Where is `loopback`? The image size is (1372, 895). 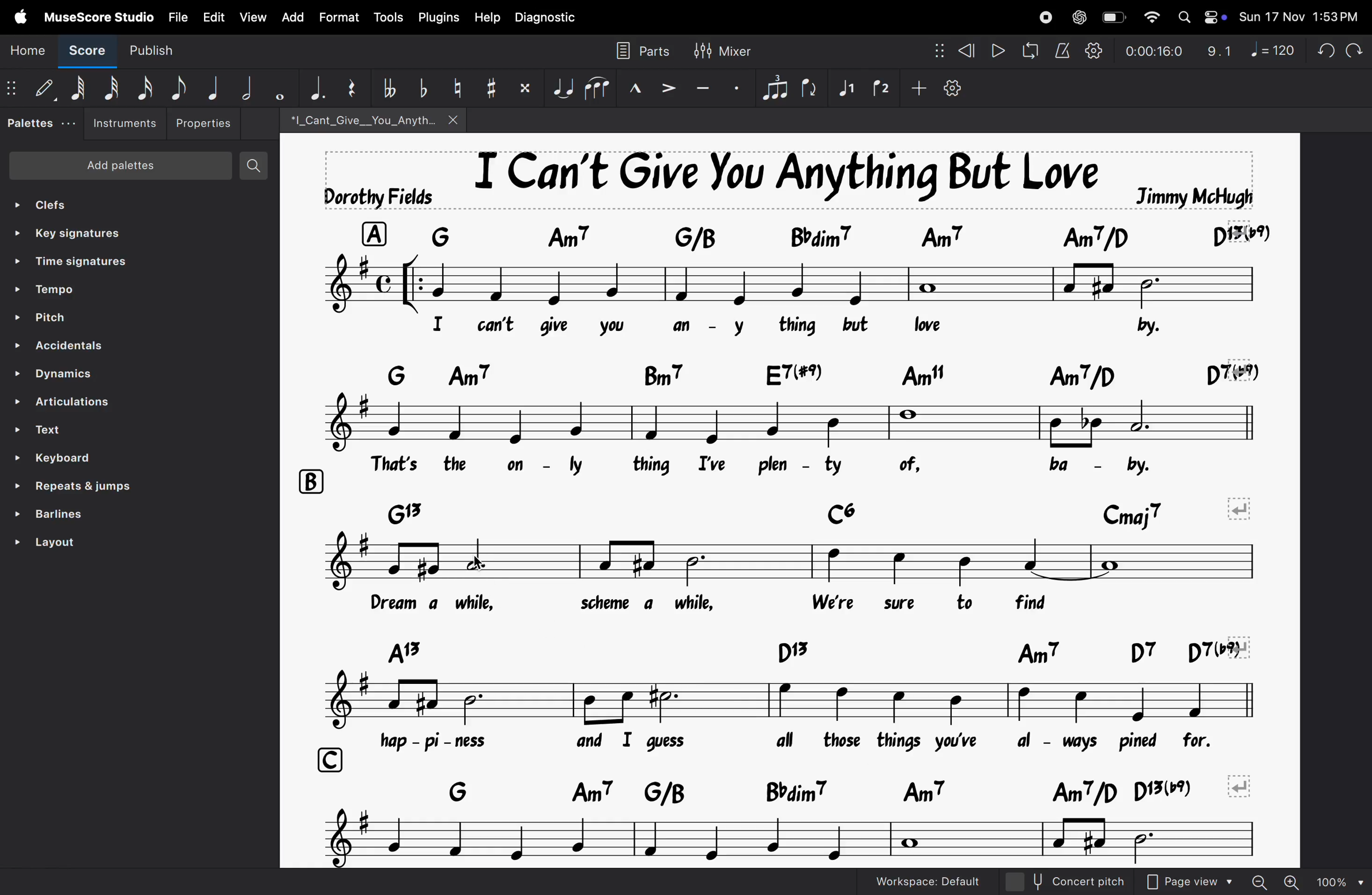
loopback is located at coordinates (1030, 50).